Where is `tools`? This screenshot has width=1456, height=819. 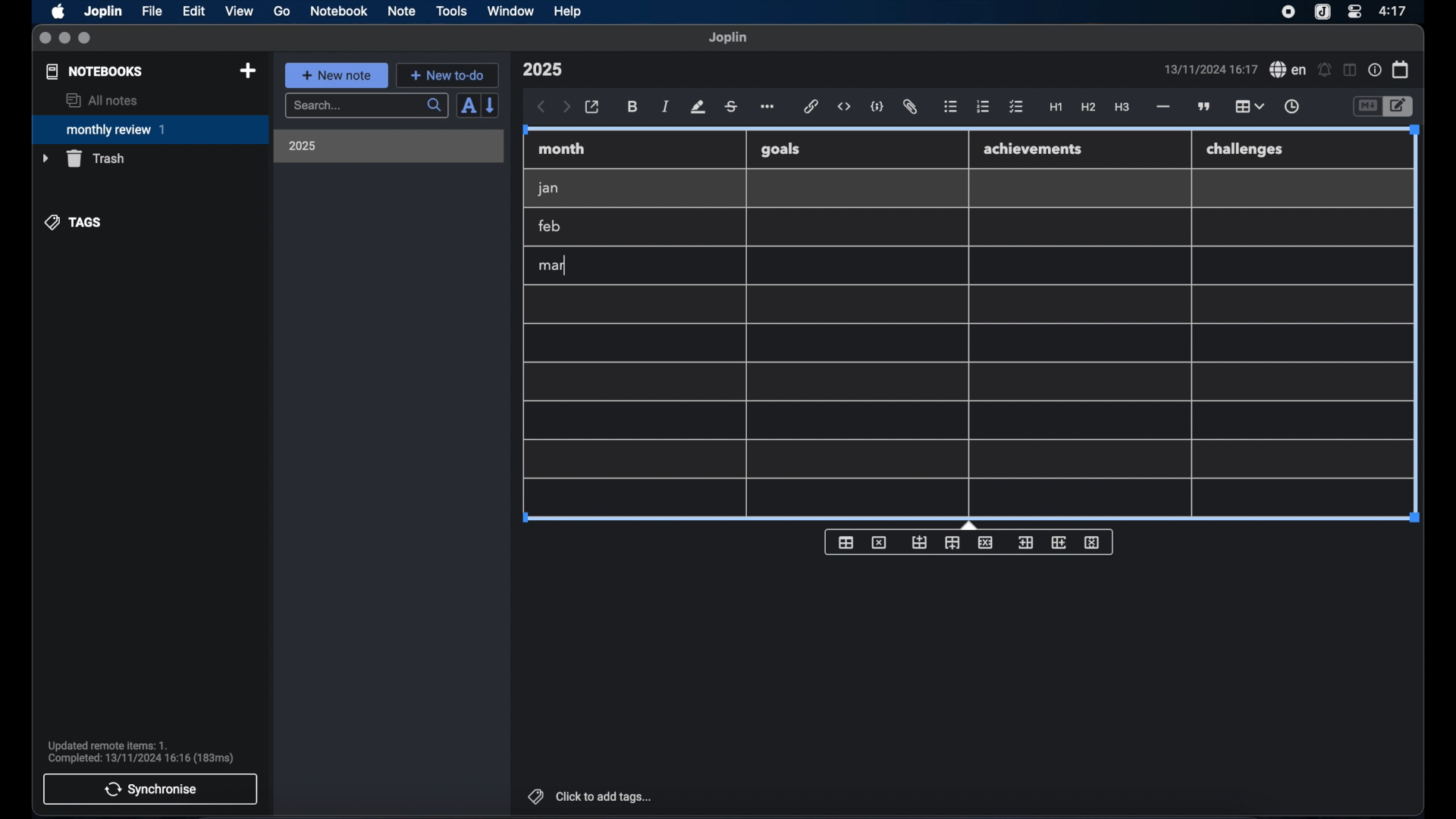 tools is located at coordinates (451, 11).